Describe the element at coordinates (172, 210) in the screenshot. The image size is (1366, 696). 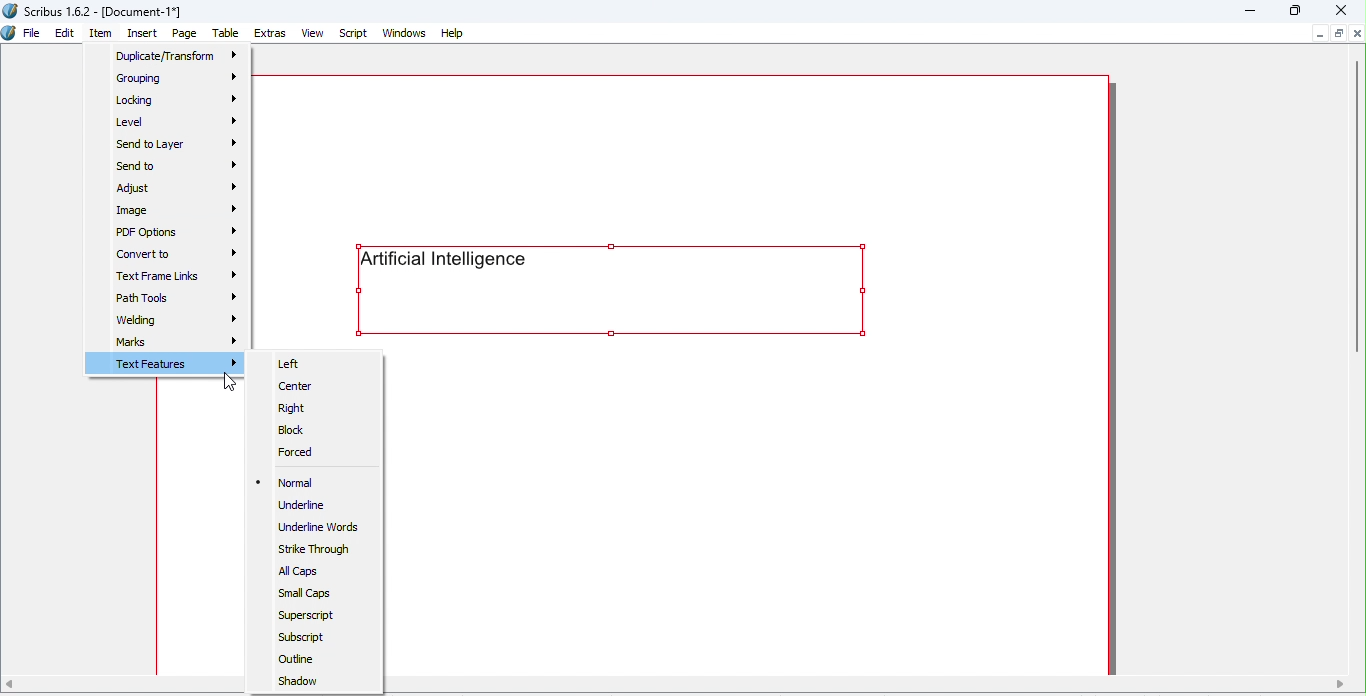
I see `Image` at that location.